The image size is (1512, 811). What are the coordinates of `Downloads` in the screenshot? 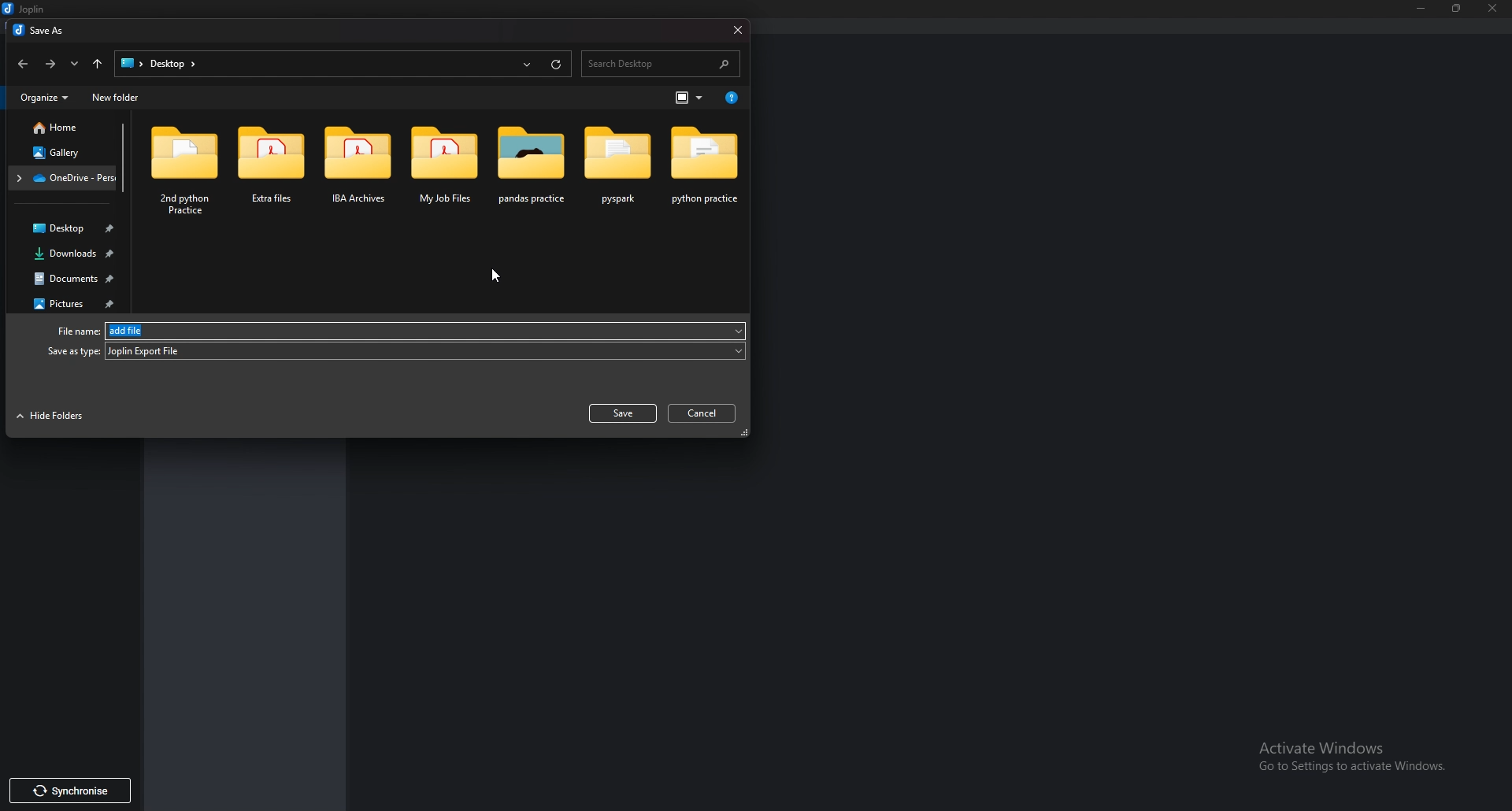 It's located at (71, 255).